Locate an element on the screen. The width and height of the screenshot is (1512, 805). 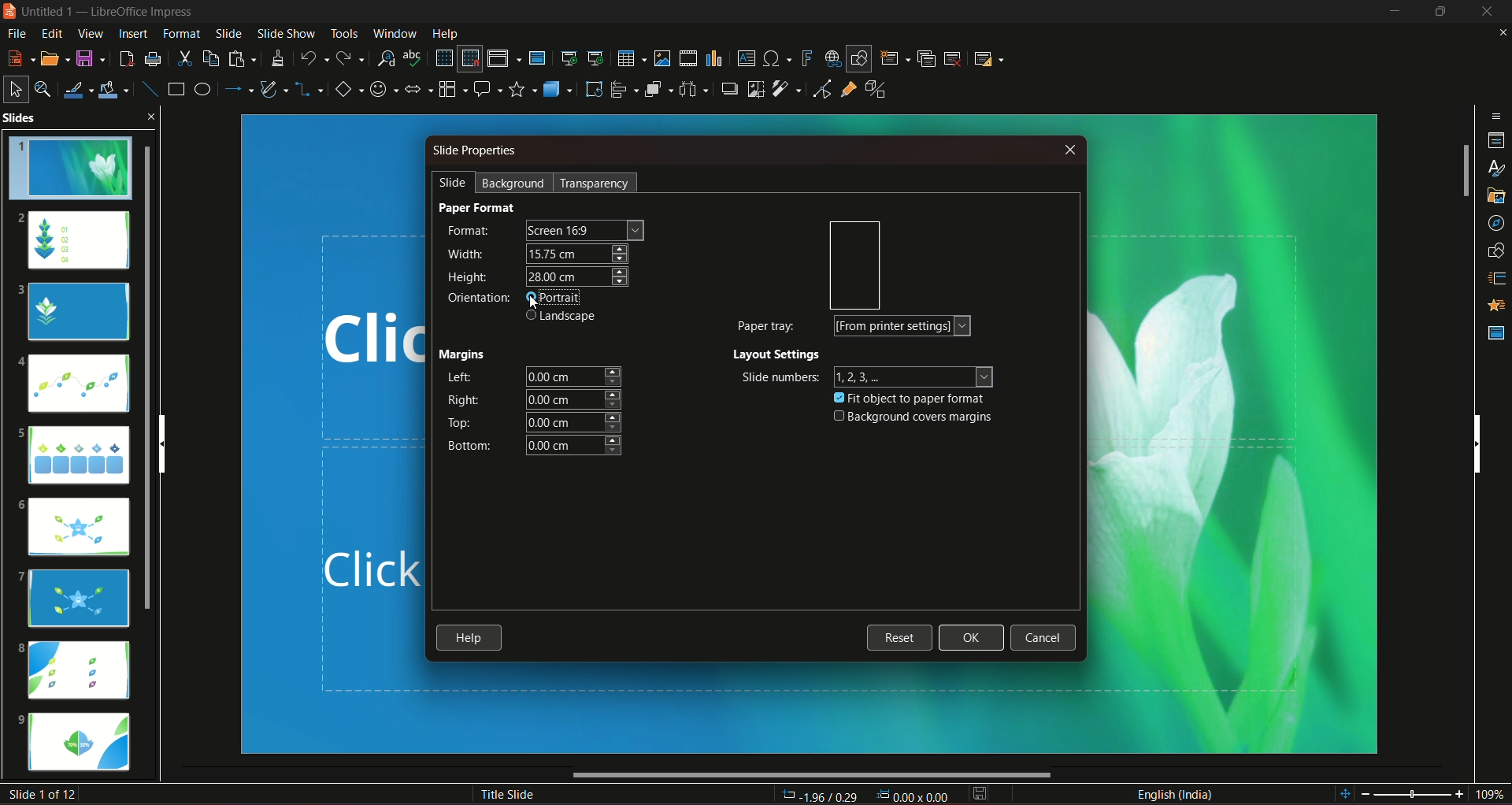
layout settings is located at coordinates (778, 355).